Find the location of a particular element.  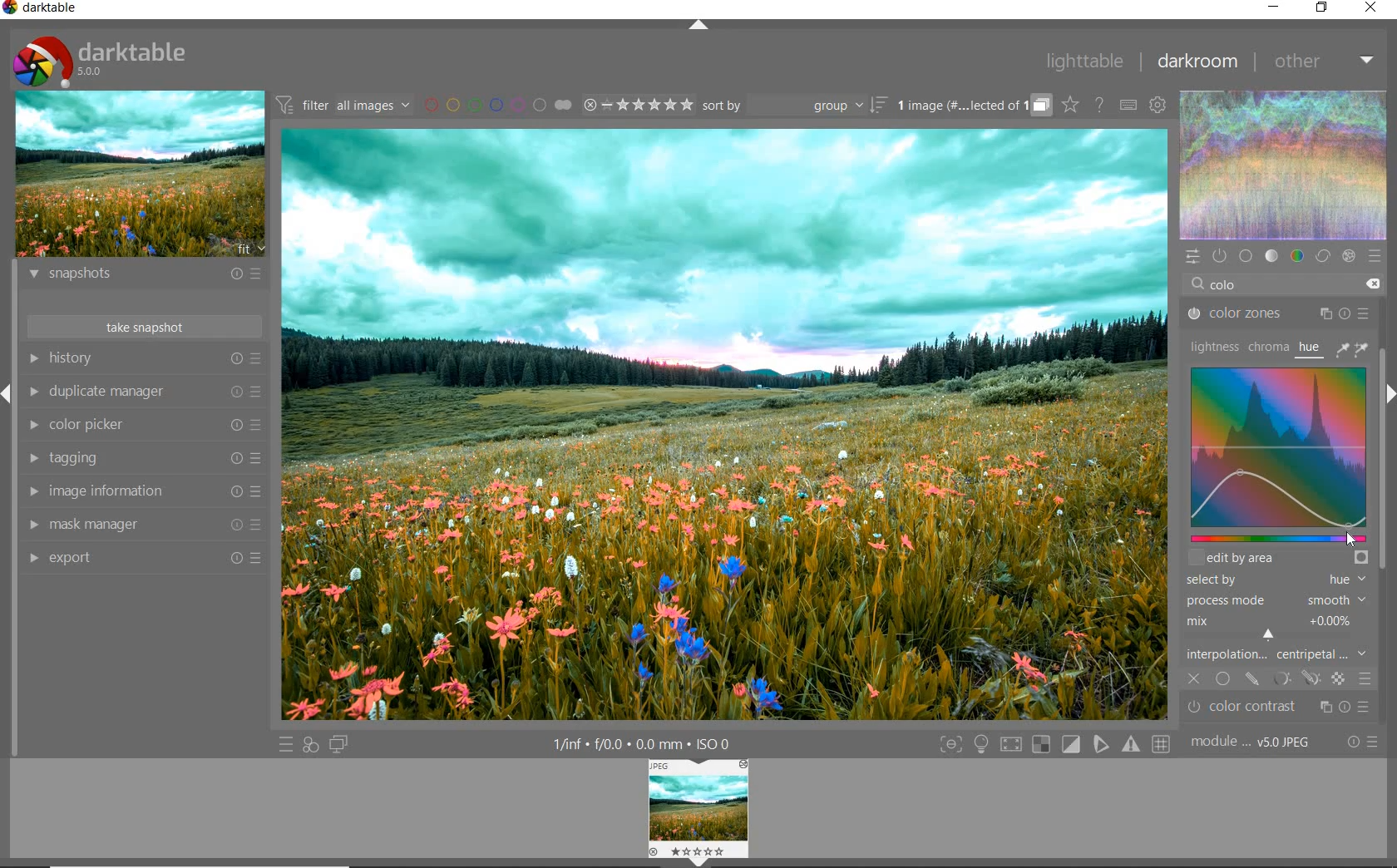

slider is located at coordinates (1286, 535).